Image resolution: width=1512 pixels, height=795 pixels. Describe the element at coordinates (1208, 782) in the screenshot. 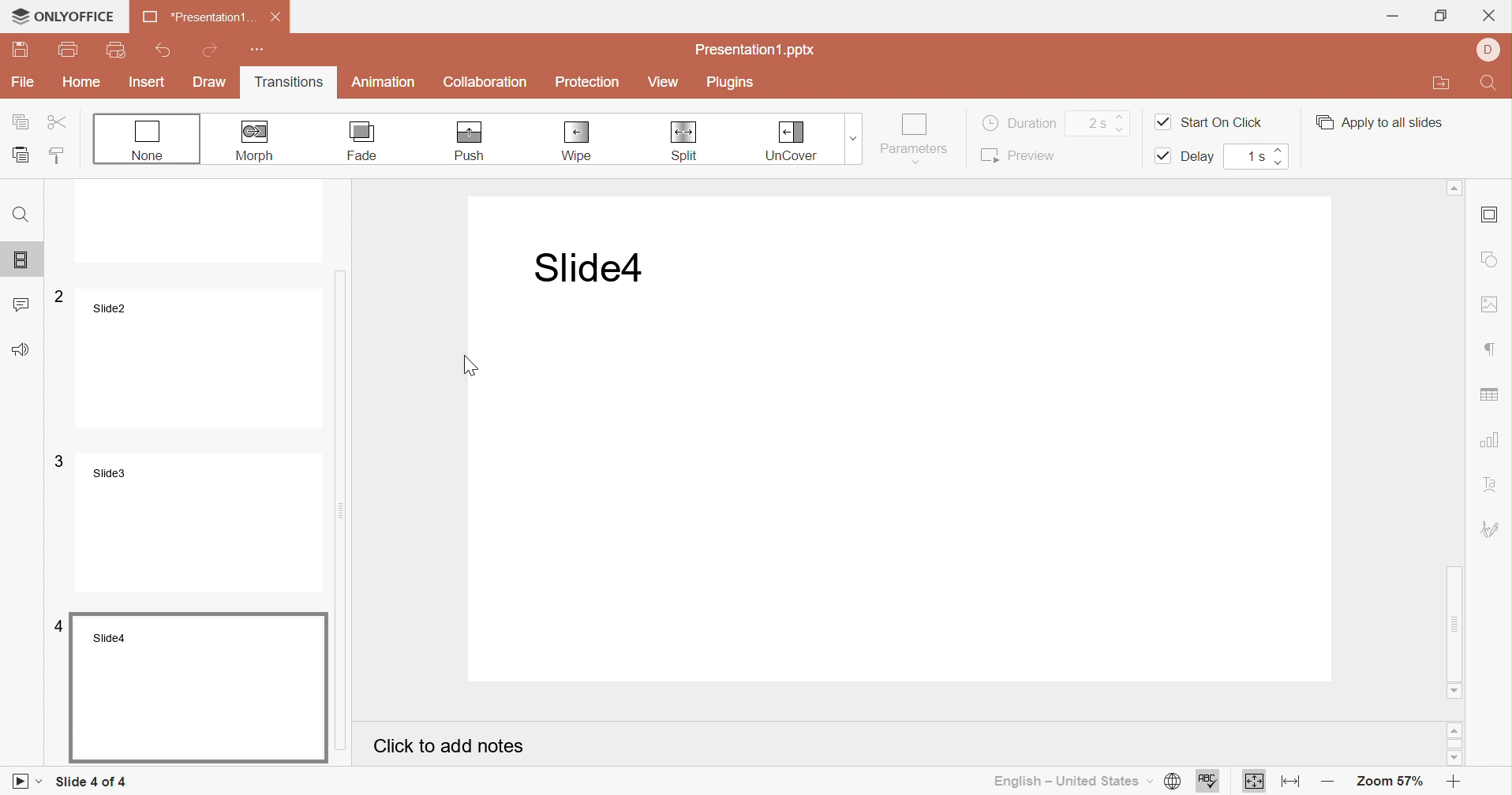

I see `Spell checking` at that location.